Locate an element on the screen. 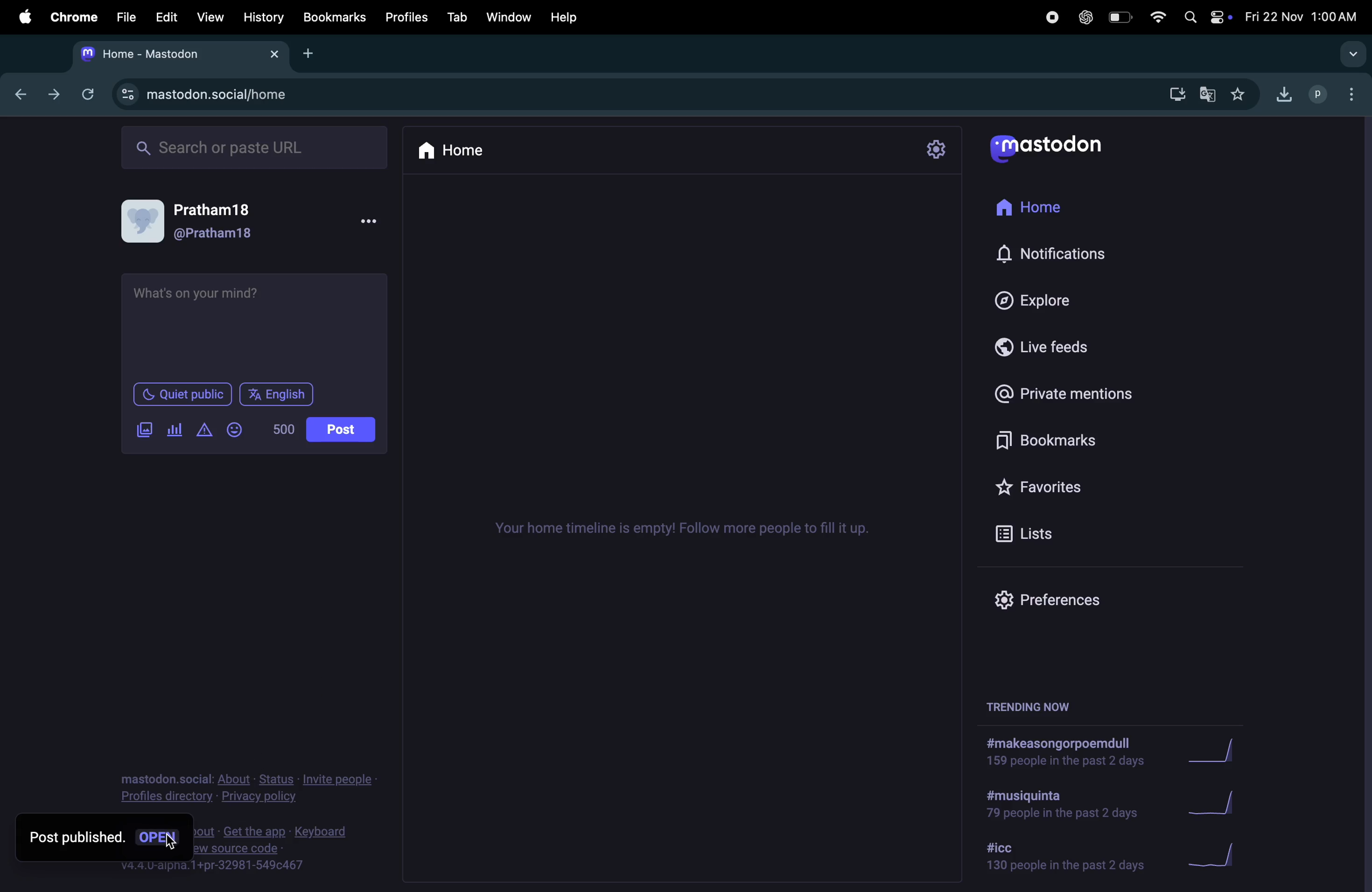 The image size is (1372, 892). favourites is located at coordinates (1074, 485).